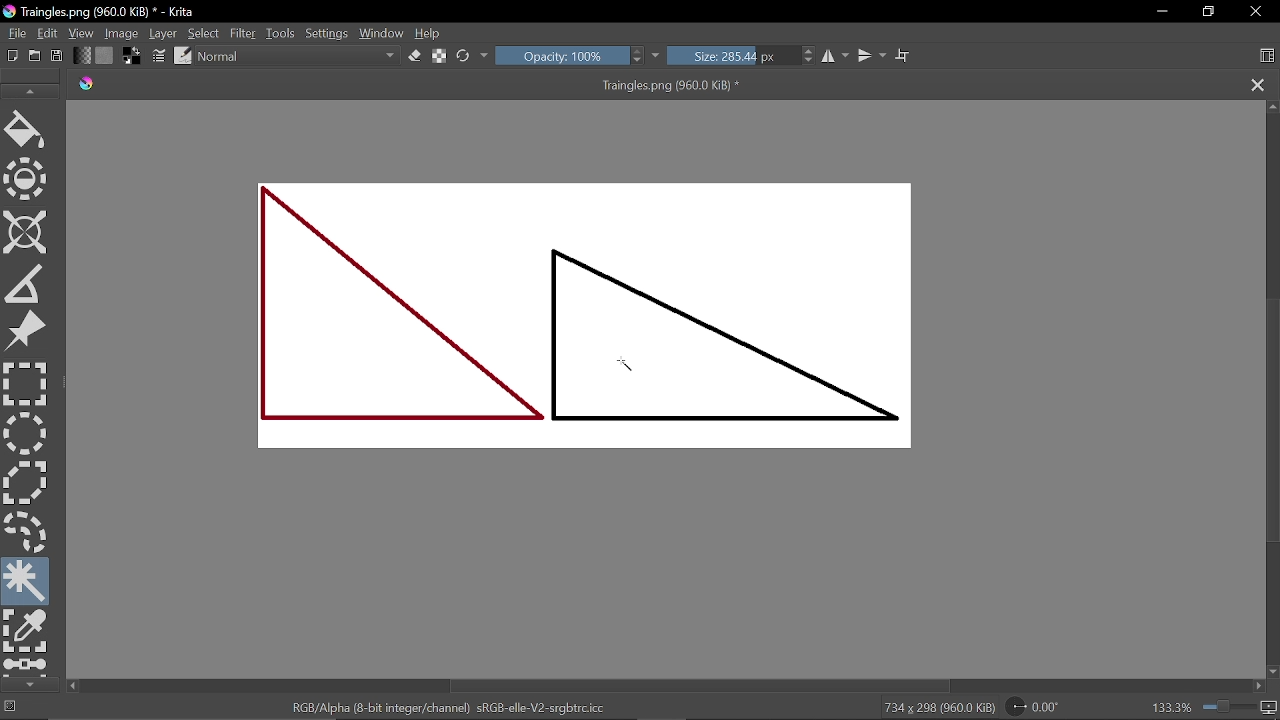 The width and height of the screenshot is (1280, 720). Describe the element at coordinates (1270, 708) in the screenshot. I see `Zoom` at that location.